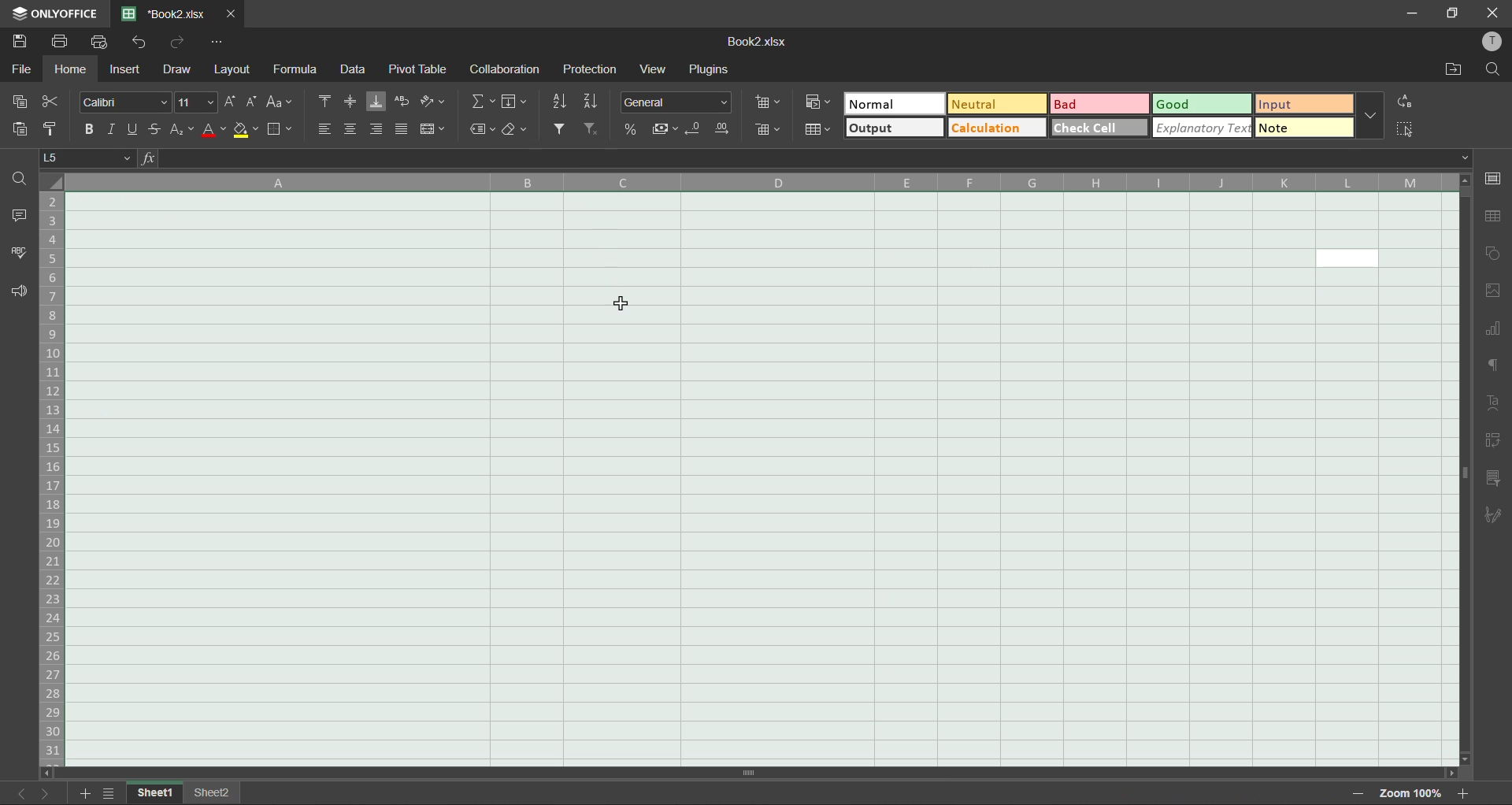 This screenshot has width=1512, height=805. What do you see at coordinates (626, 305) in the screenshot?
I see `cursor` at bounding box center [626, 305].